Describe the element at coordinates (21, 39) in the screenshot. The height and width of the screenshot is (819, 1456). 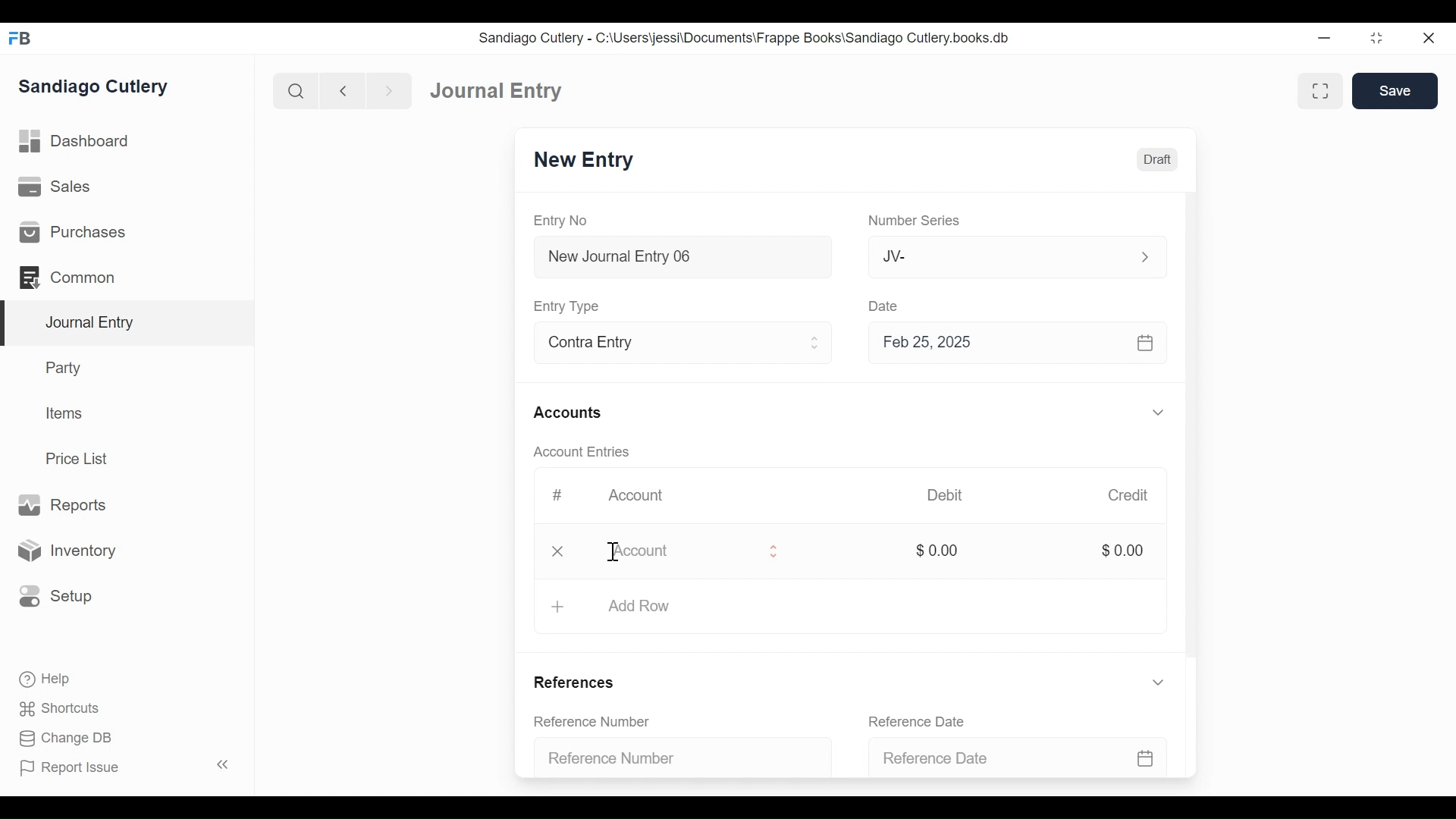
I see `Frappe Books Desktop icon` at that location.